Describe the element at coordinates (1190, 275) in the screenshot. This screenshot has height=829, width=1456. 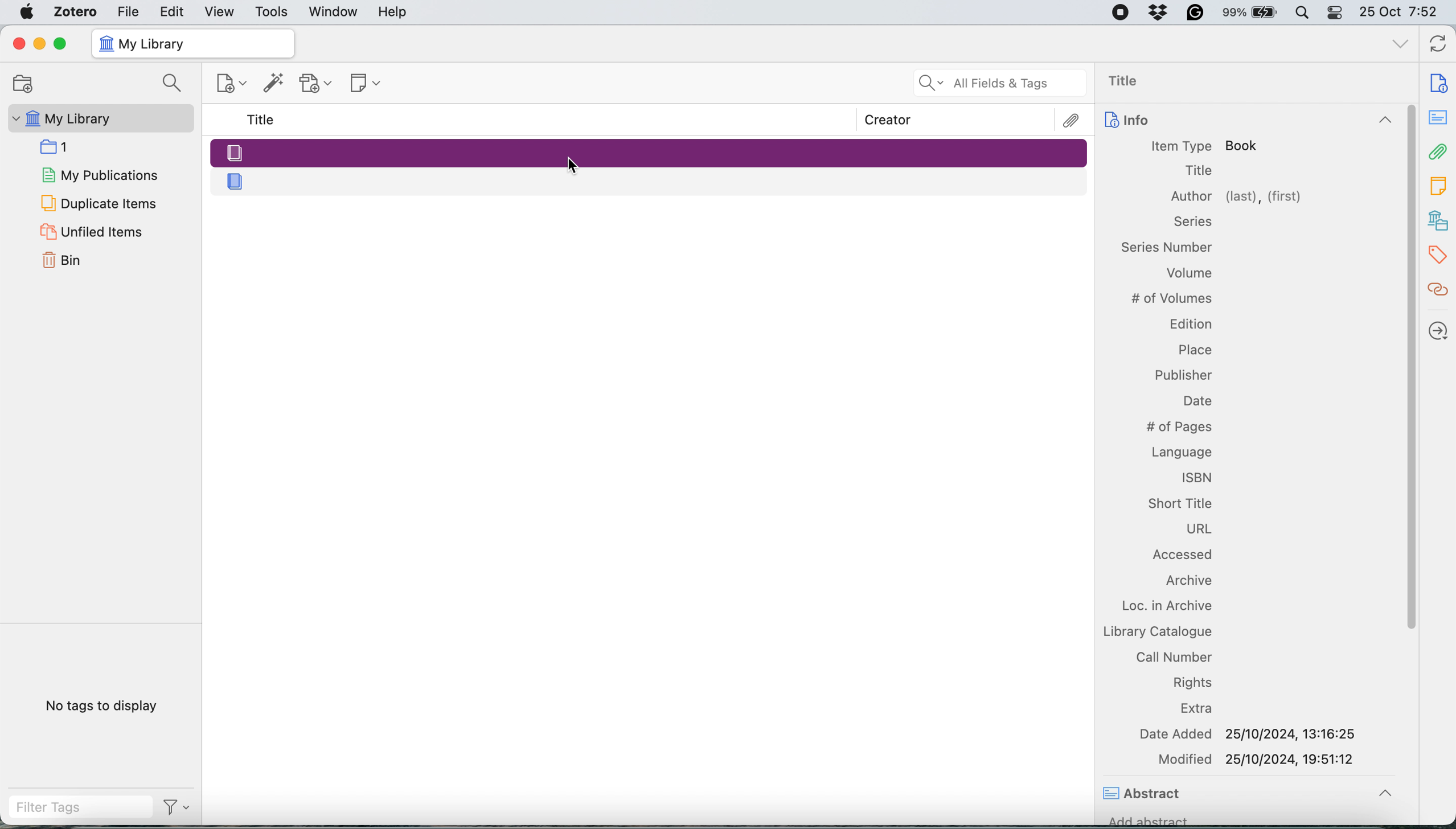
I see `Volume` at that location.